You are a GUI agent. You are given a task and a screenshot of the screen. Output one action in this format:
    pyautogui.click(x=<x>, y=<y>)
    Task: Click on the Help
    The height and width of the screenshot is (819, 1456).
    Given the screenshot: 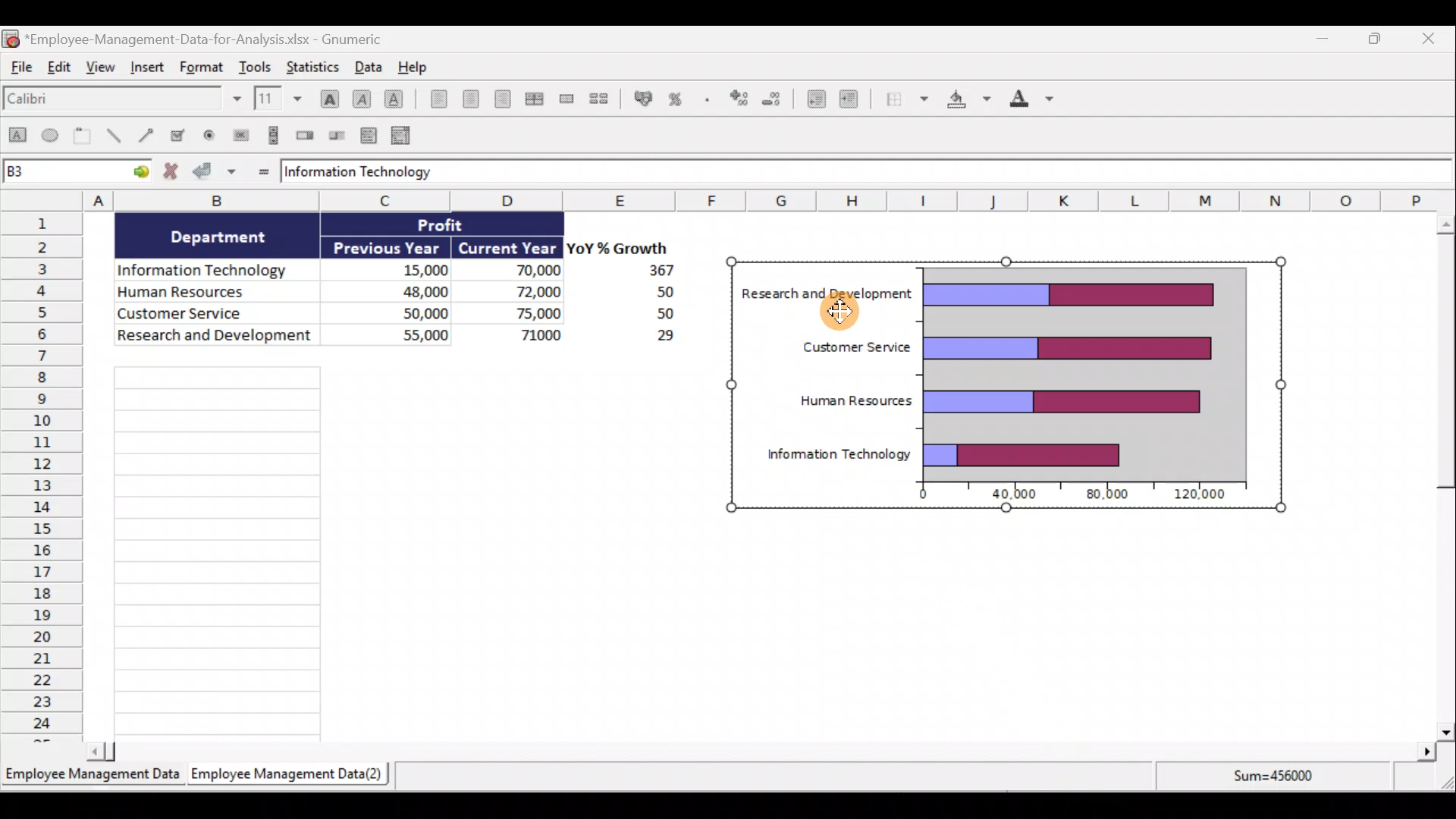 What is the action you would take?
    pyautogui.click(x=413, y=66)
    